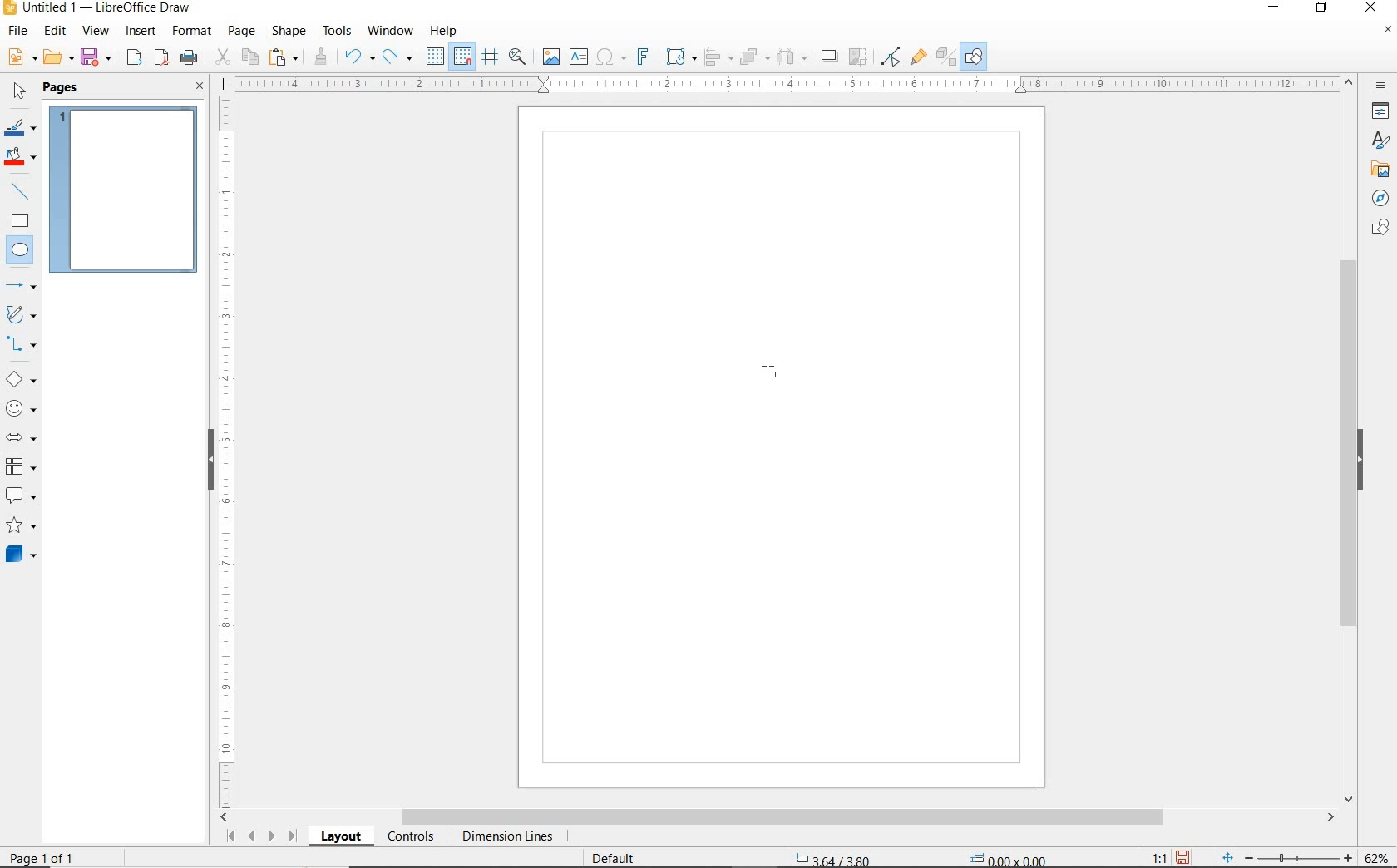 The image size is (1397, 868). I want to click on EXPORT, so click(135, 58).